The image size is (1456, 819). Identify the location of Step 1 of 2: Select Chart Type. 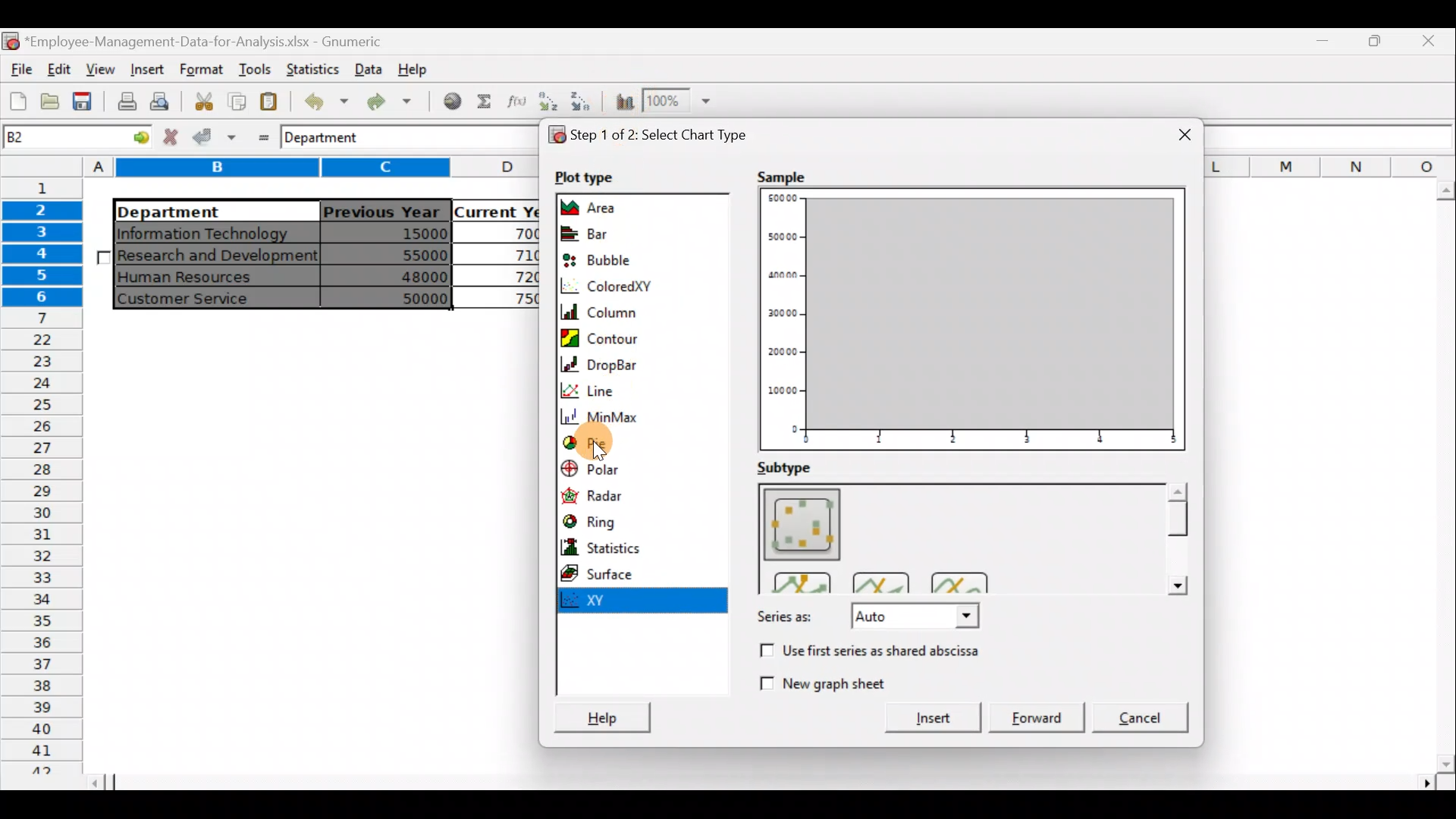
(665, 136).